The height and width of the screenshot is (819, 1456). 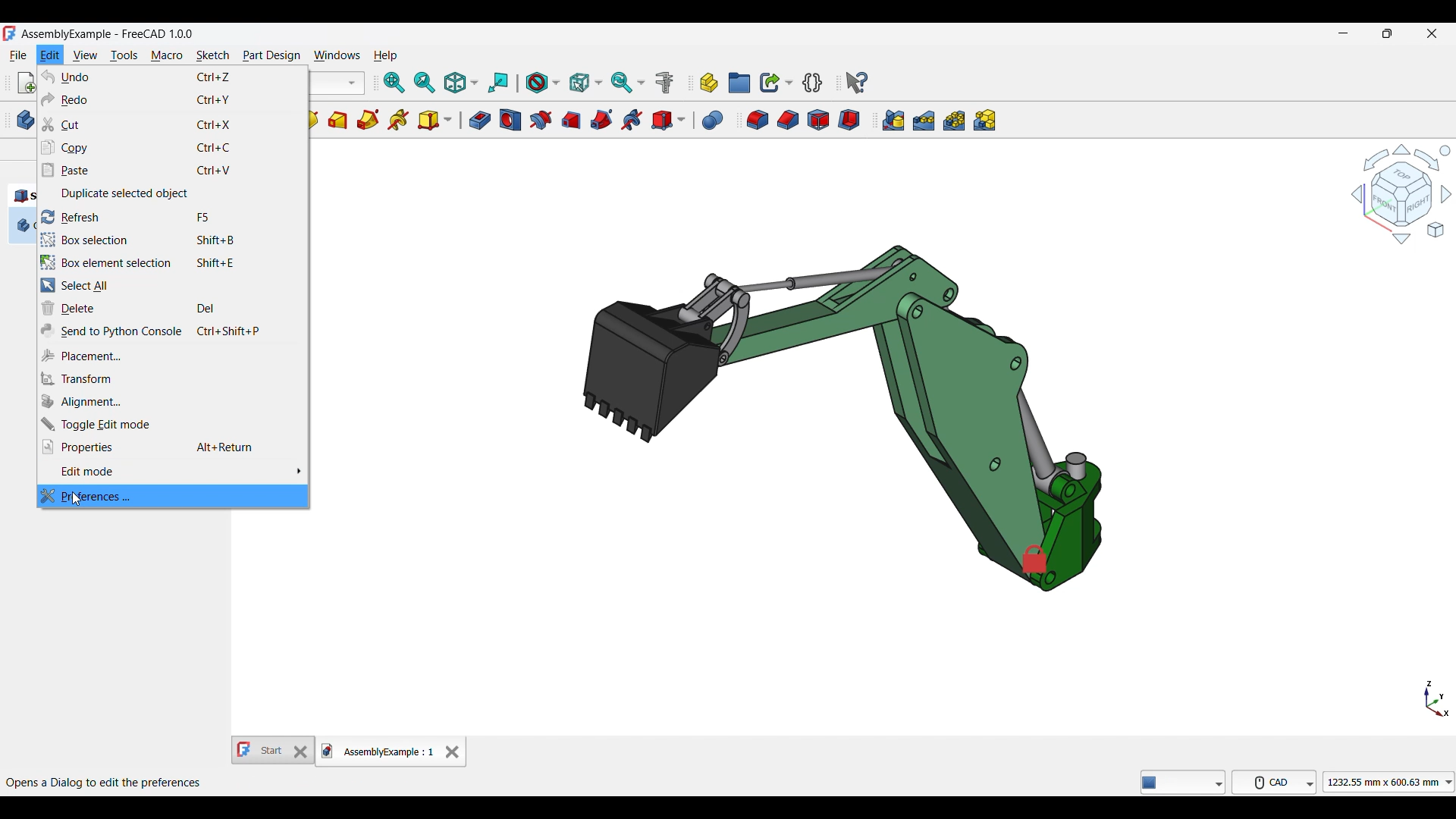 I want to click on Polar pattern, so click(x=954, y=120).